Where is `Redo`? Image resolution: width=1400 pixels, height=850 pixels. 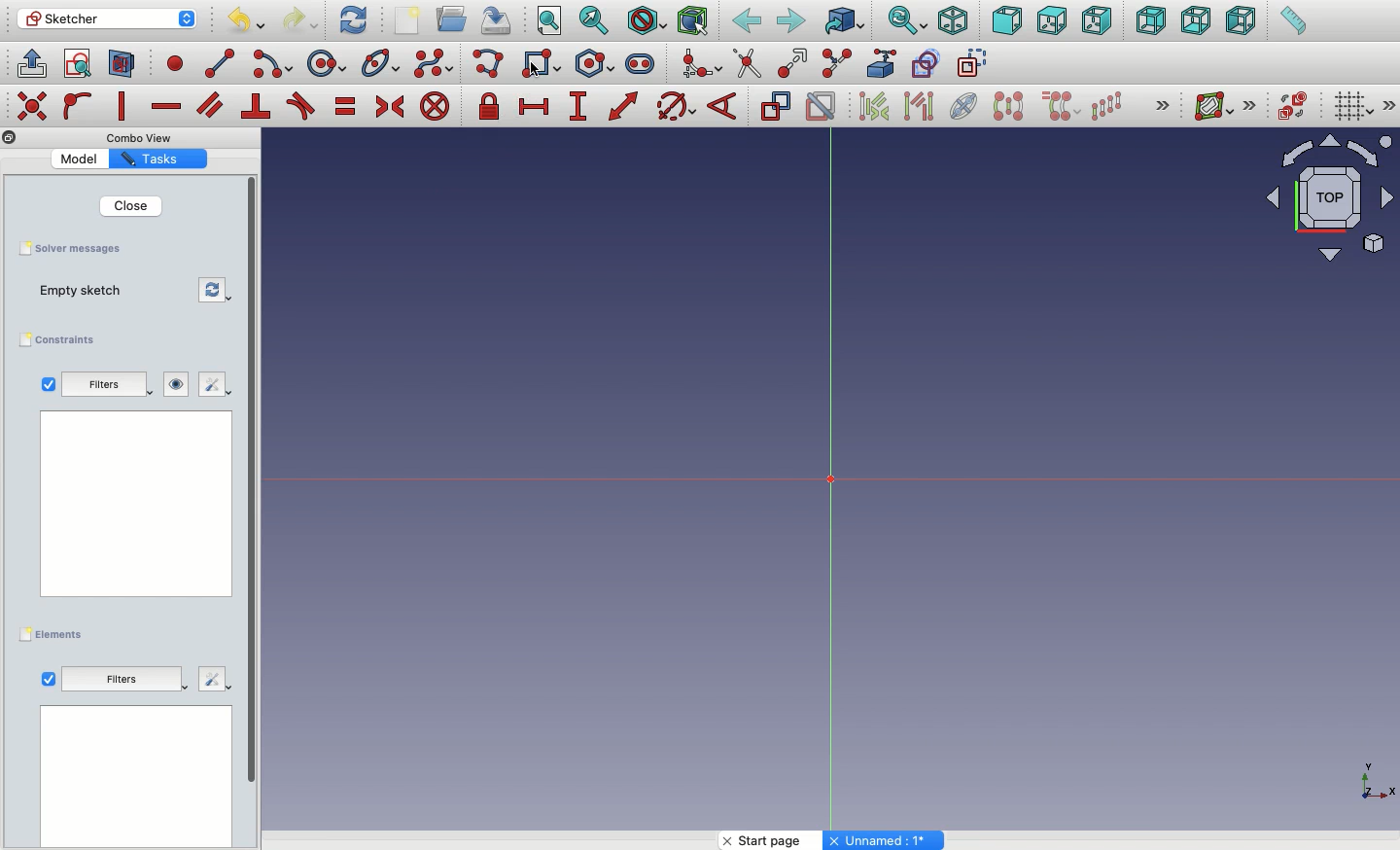 Redo is located at coordinates (303, 20).